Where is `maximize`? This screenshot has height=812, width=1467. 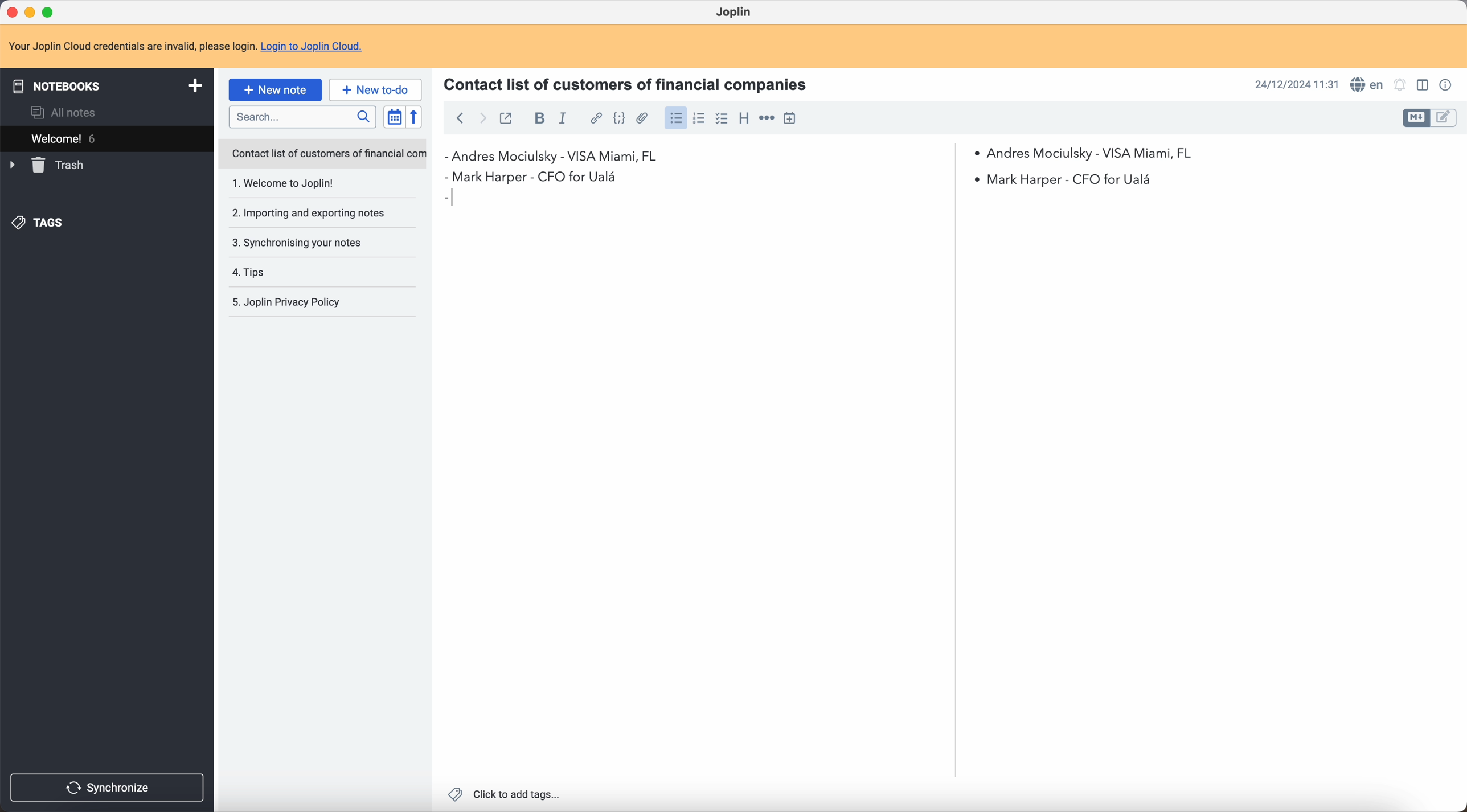
maximize is located at coordinates (51, 10).